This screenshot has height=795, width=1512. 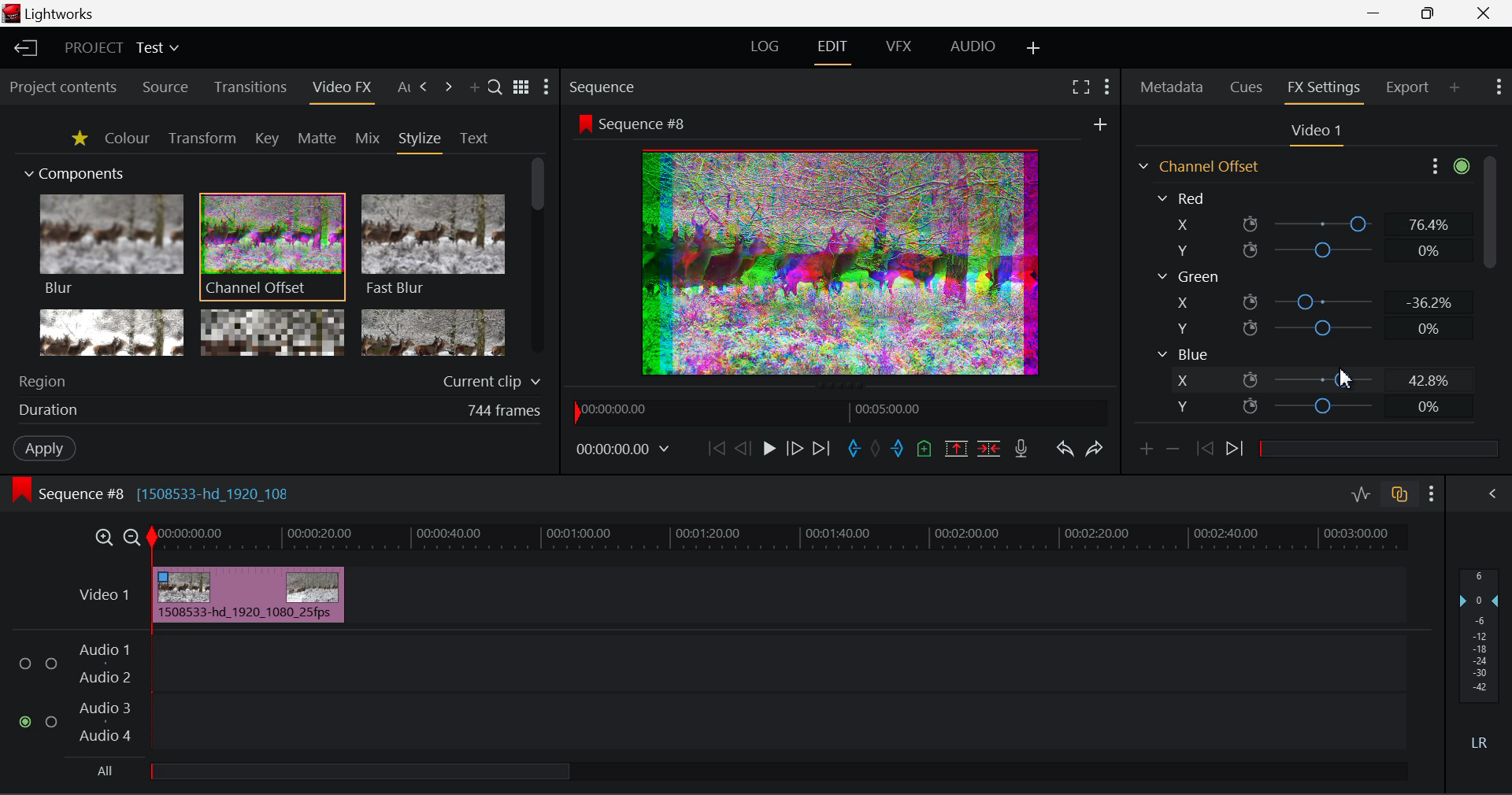 I want to click on Frame Duration, so click(x=280, y=412).